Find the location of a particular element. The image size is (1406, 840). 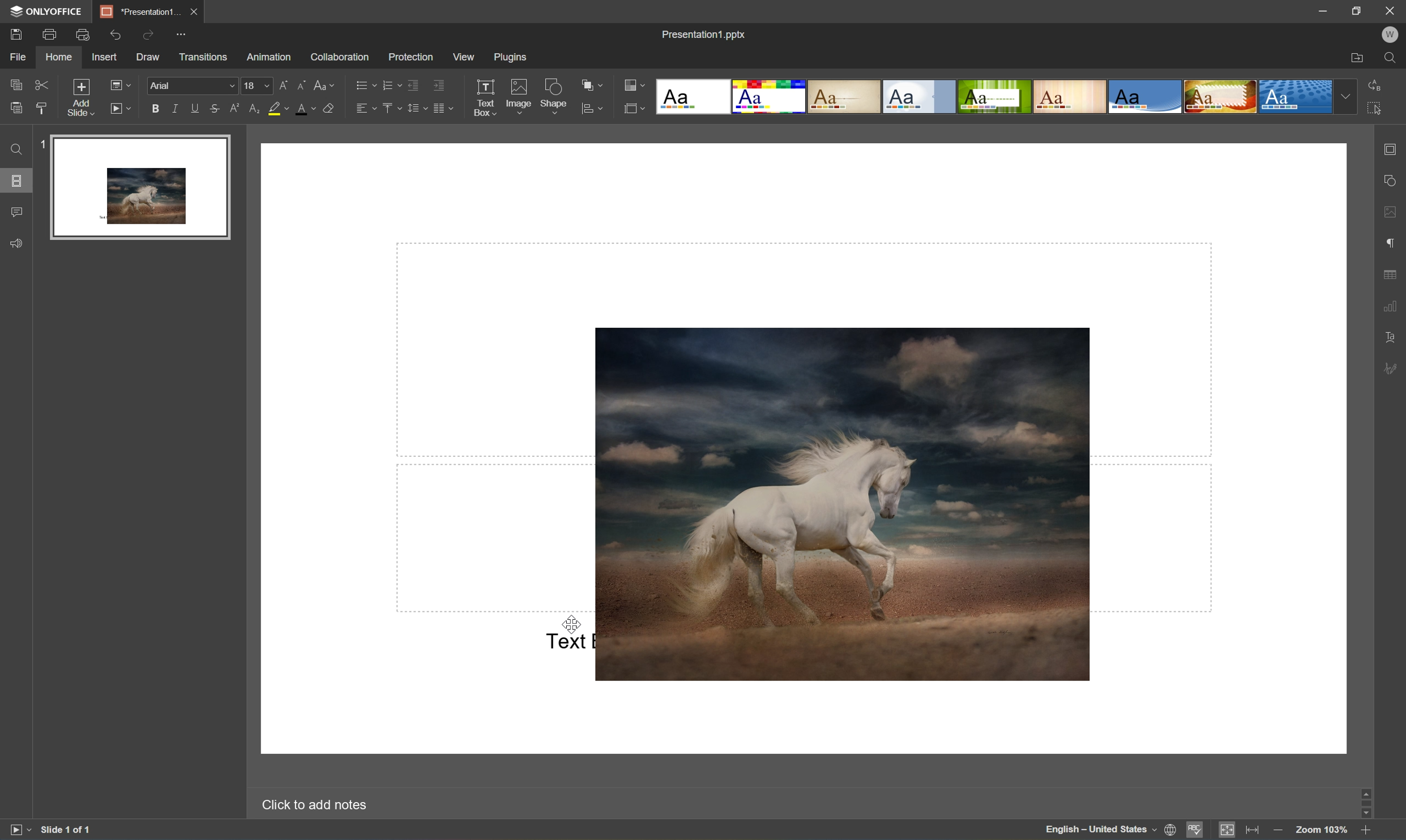

Safari is located at coordinates (1221, 97).